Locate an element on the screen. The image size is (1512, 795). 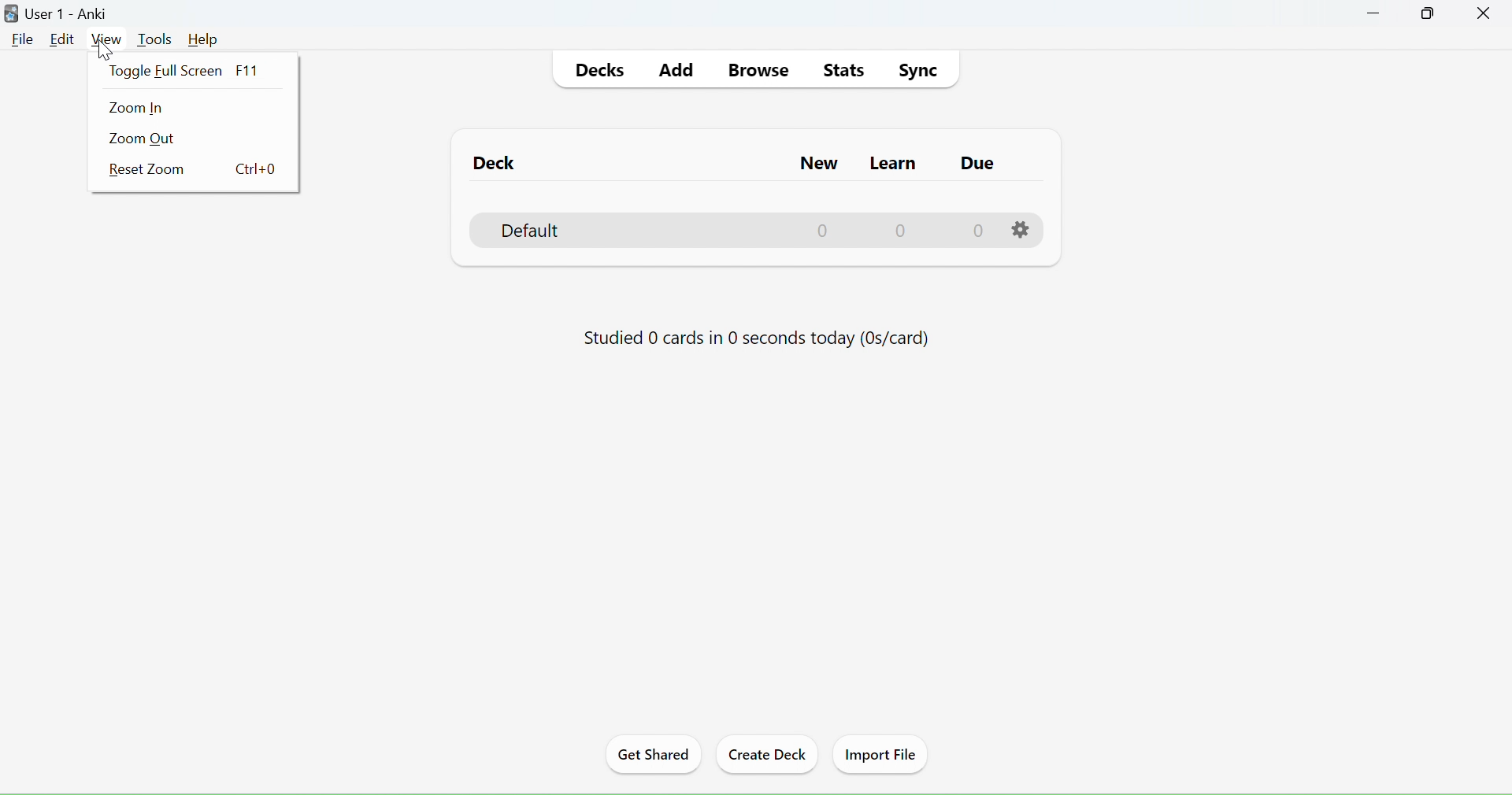
import file is located at coordinates (882, 753).